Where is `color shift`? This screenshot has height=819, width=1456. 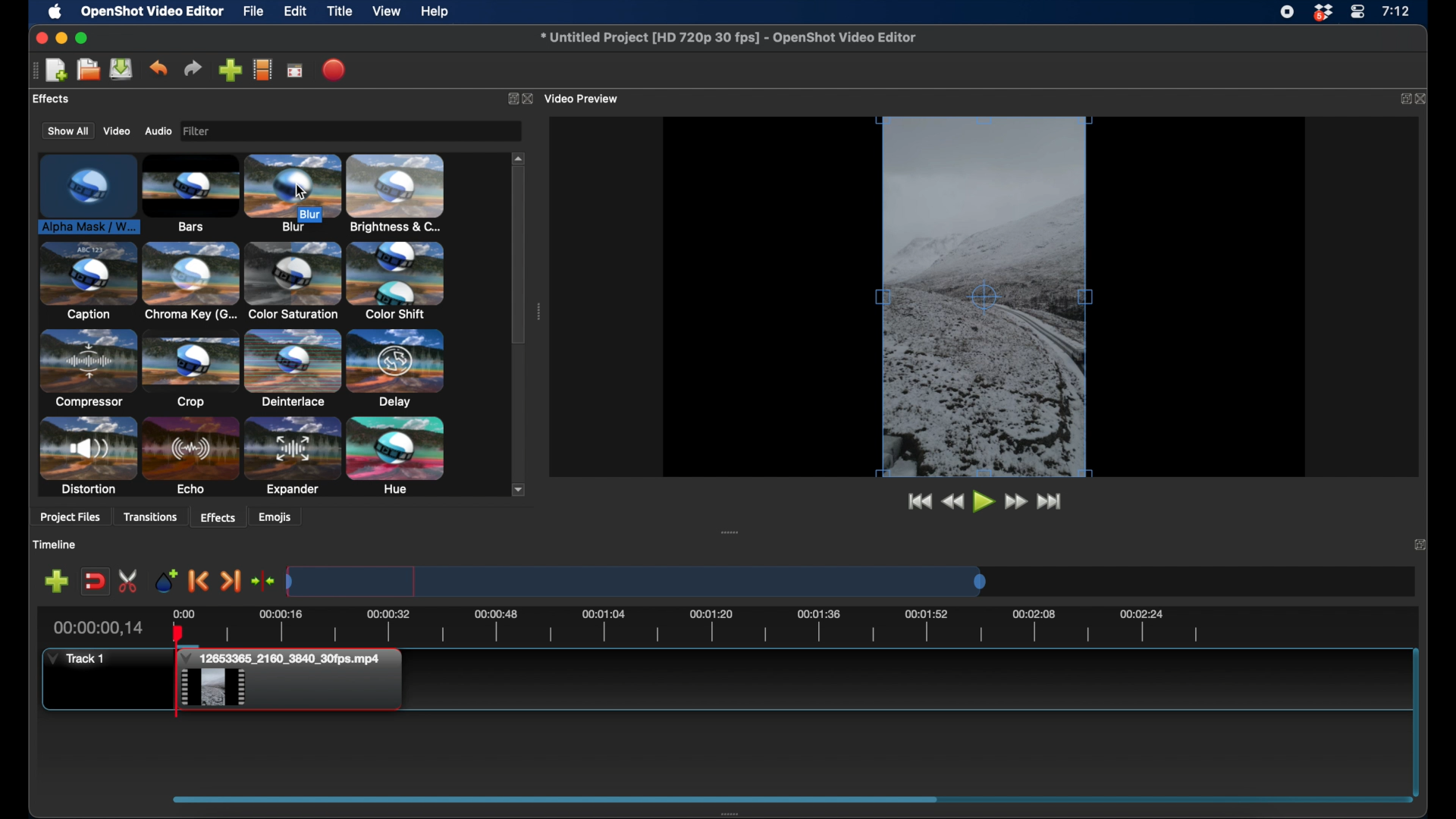 color shift is located at coordinates (395, 280).